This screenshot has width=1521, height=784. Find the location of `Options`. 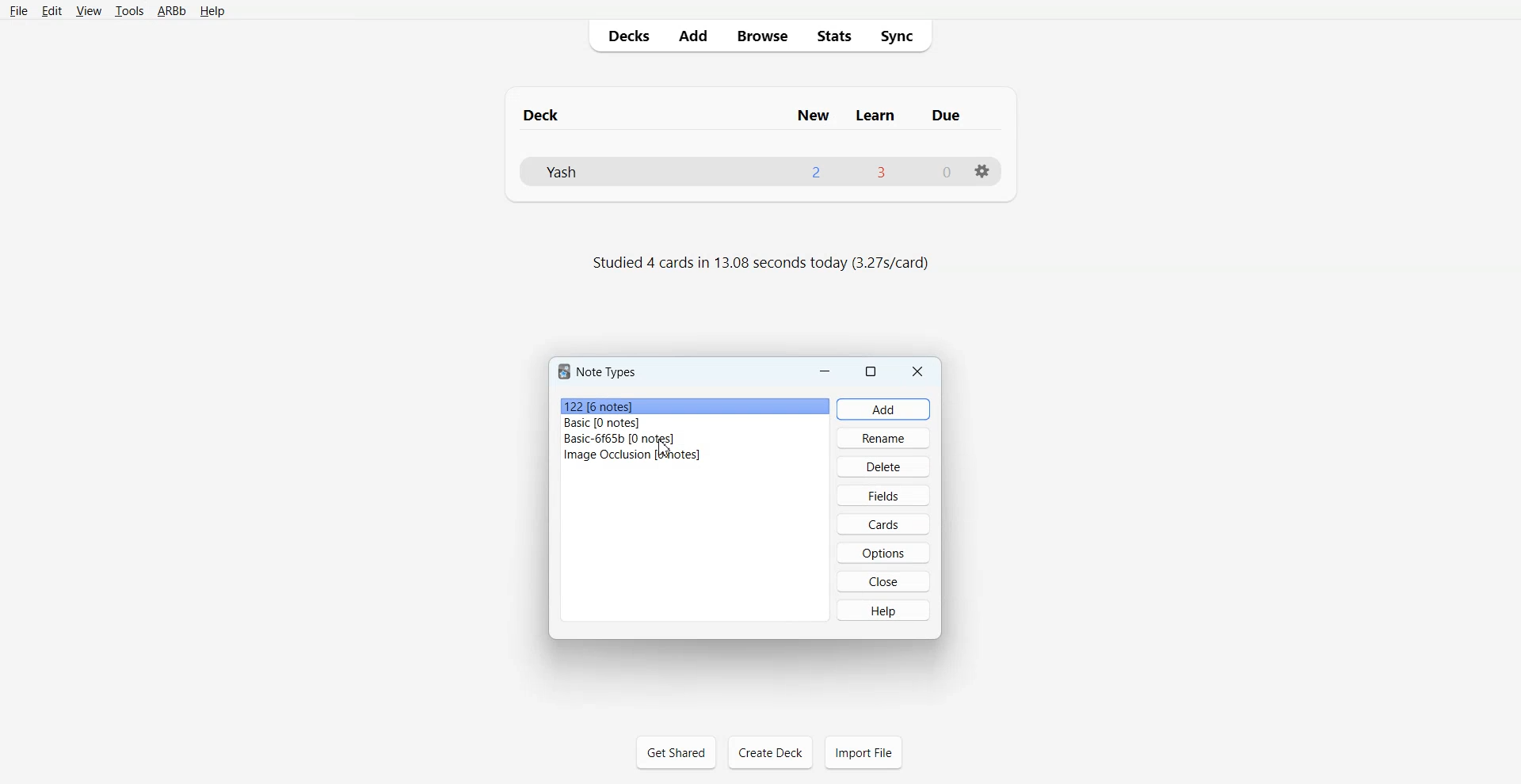

Options is located at coordinates (883, 552).